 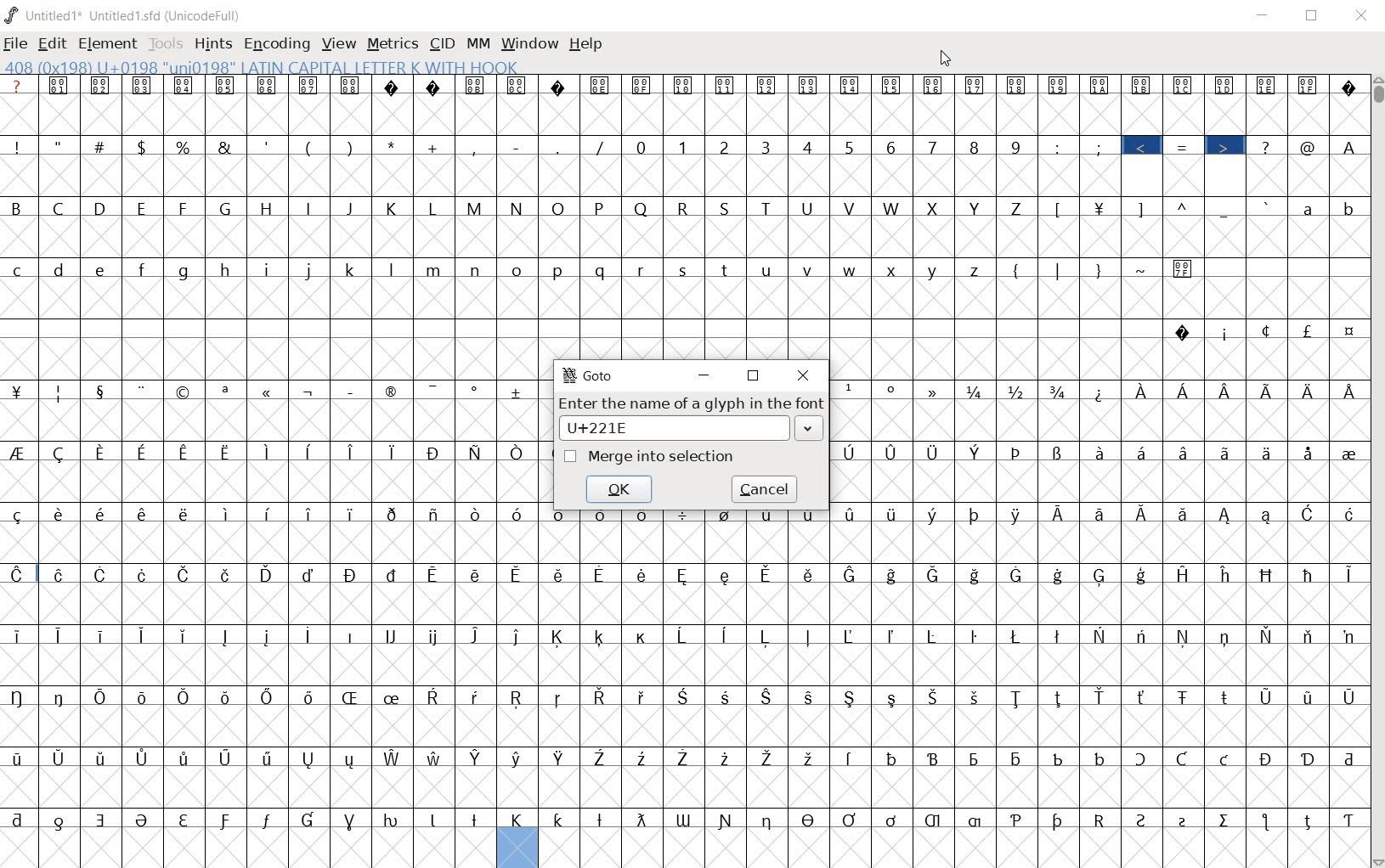 I want to click on numbers 0 - 9, so click(x=828, y=146).